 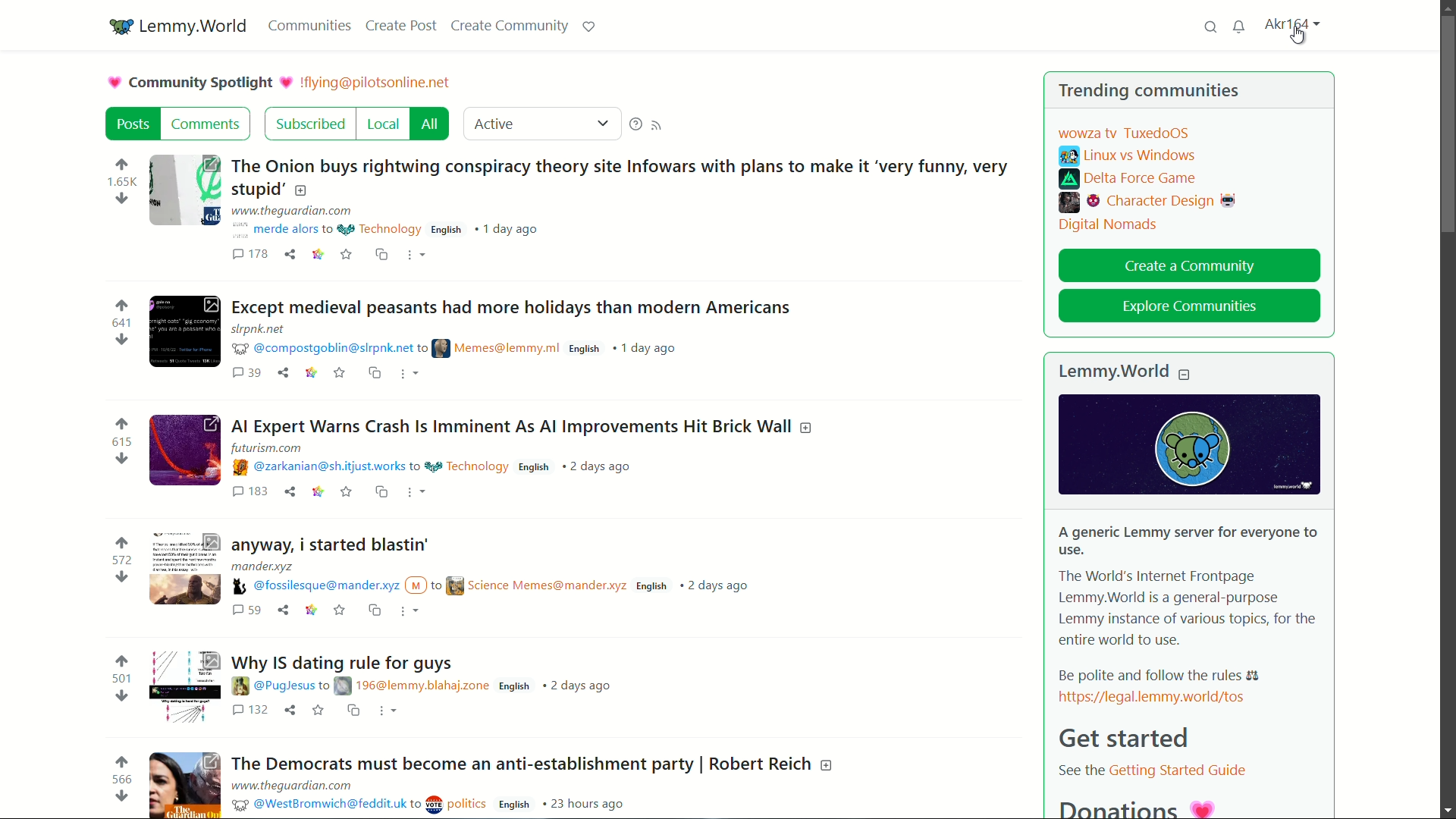 What do you see at coordinates (309, 610) in the screenshot?
I see `link` at bounding box center [309, 610].